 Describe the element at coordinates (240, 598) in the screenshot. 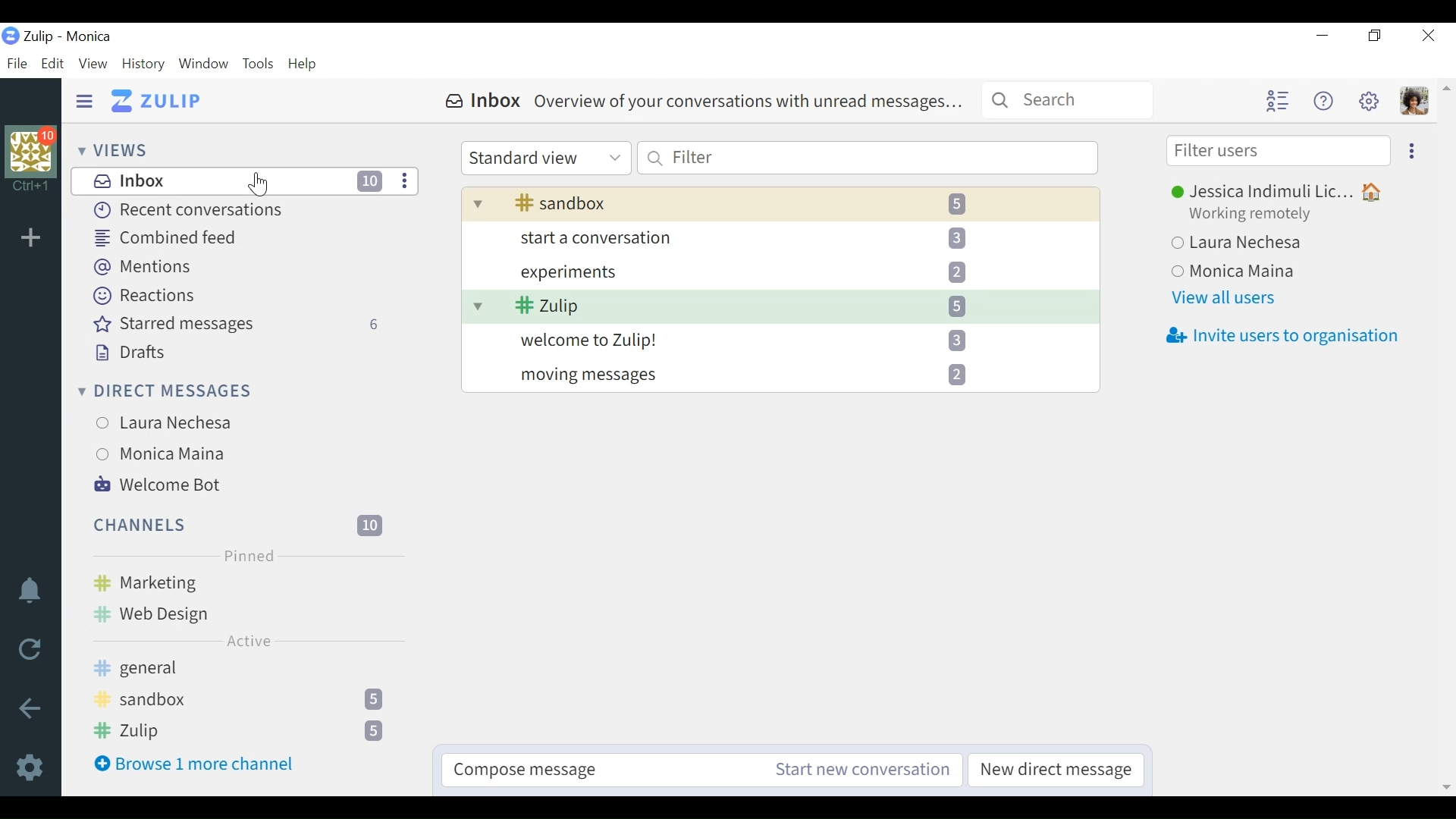

I see `Channels` at that location.